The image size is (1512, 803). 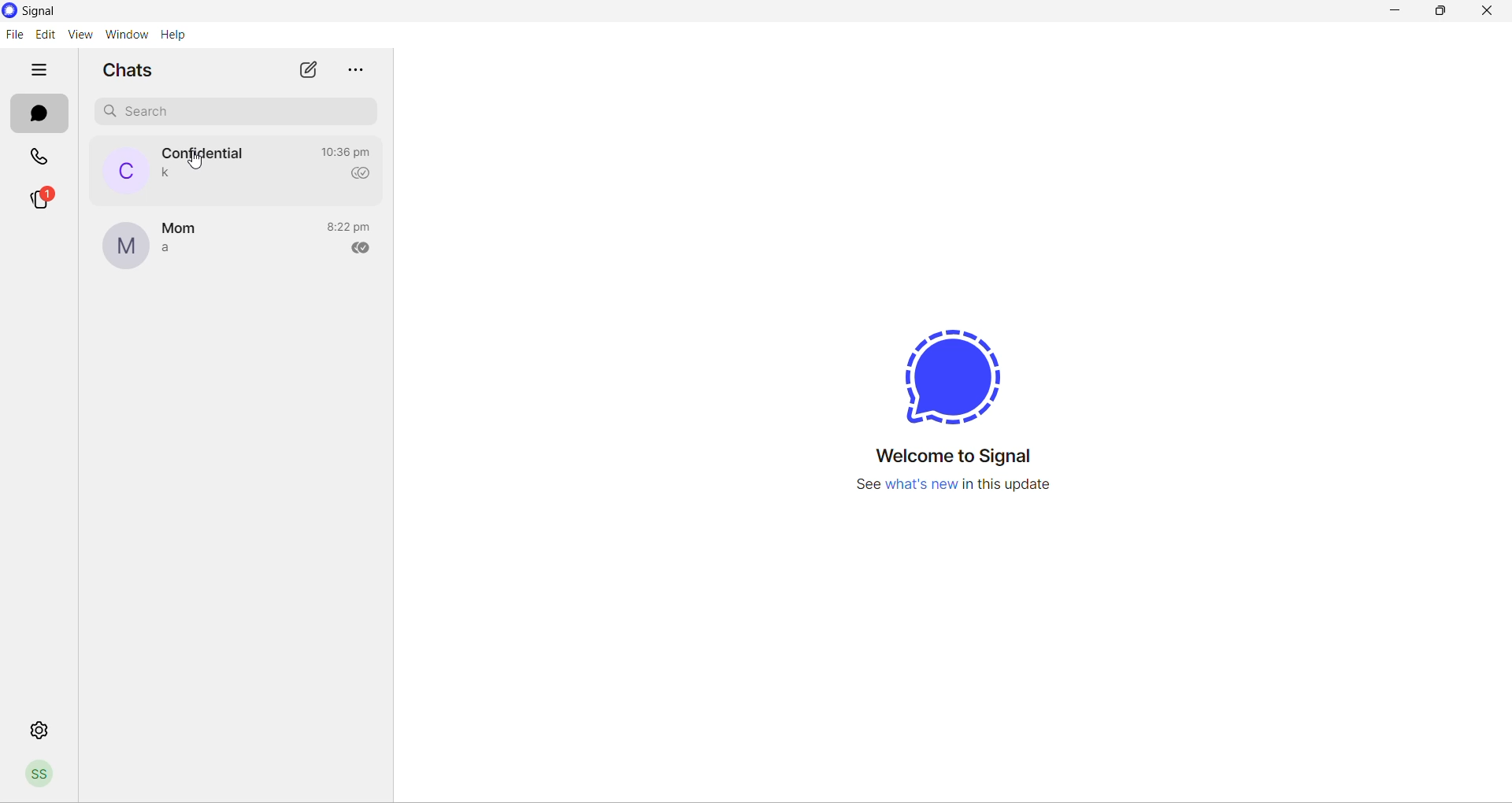 What do you see at coordinates (17, 35) in the screenshot?
I see `file` at bounding box center [17, 35].